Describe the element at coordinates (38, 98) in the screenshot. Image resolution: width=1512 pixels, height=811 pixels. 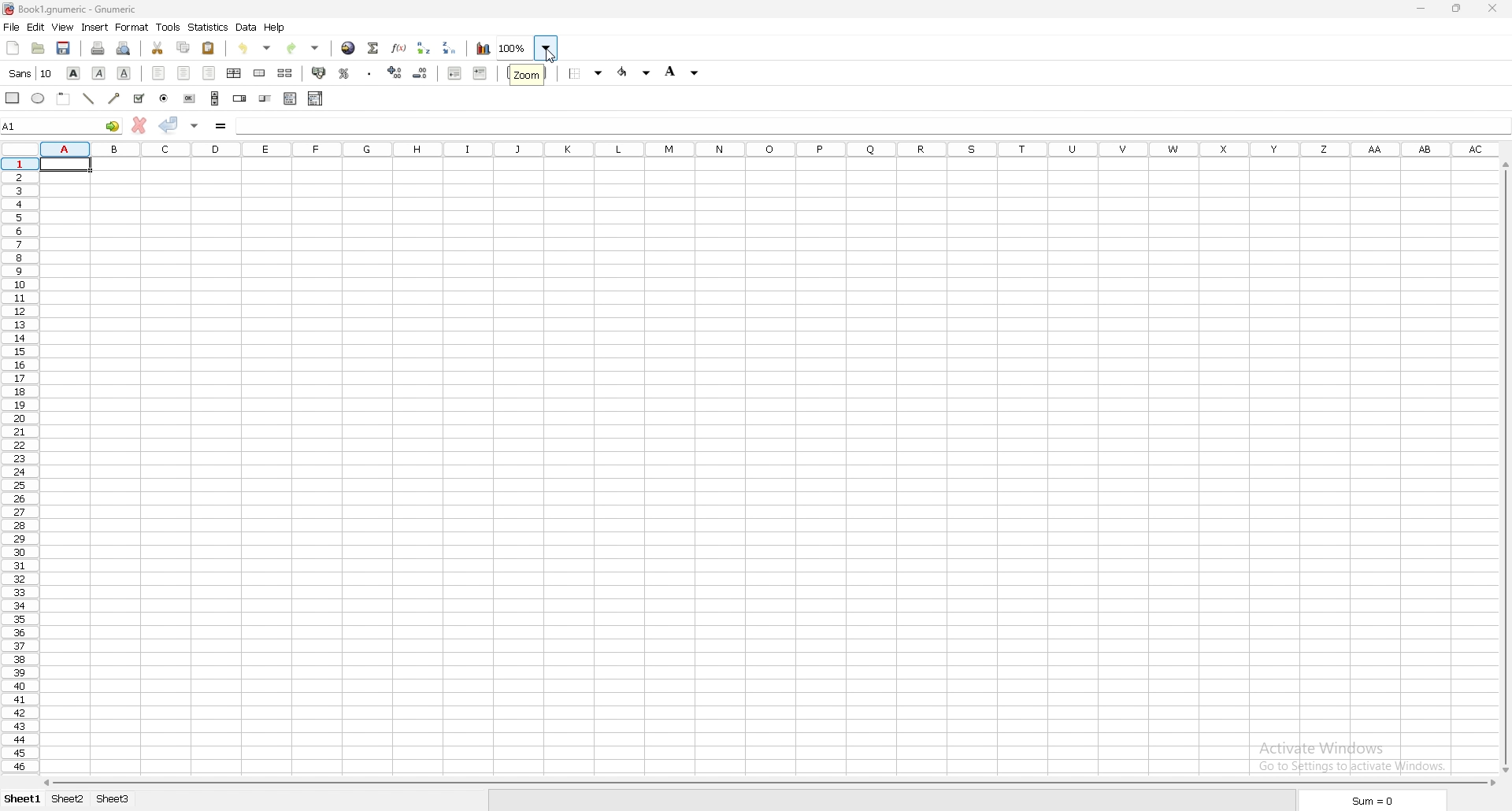
I see `ellipse` at that location.